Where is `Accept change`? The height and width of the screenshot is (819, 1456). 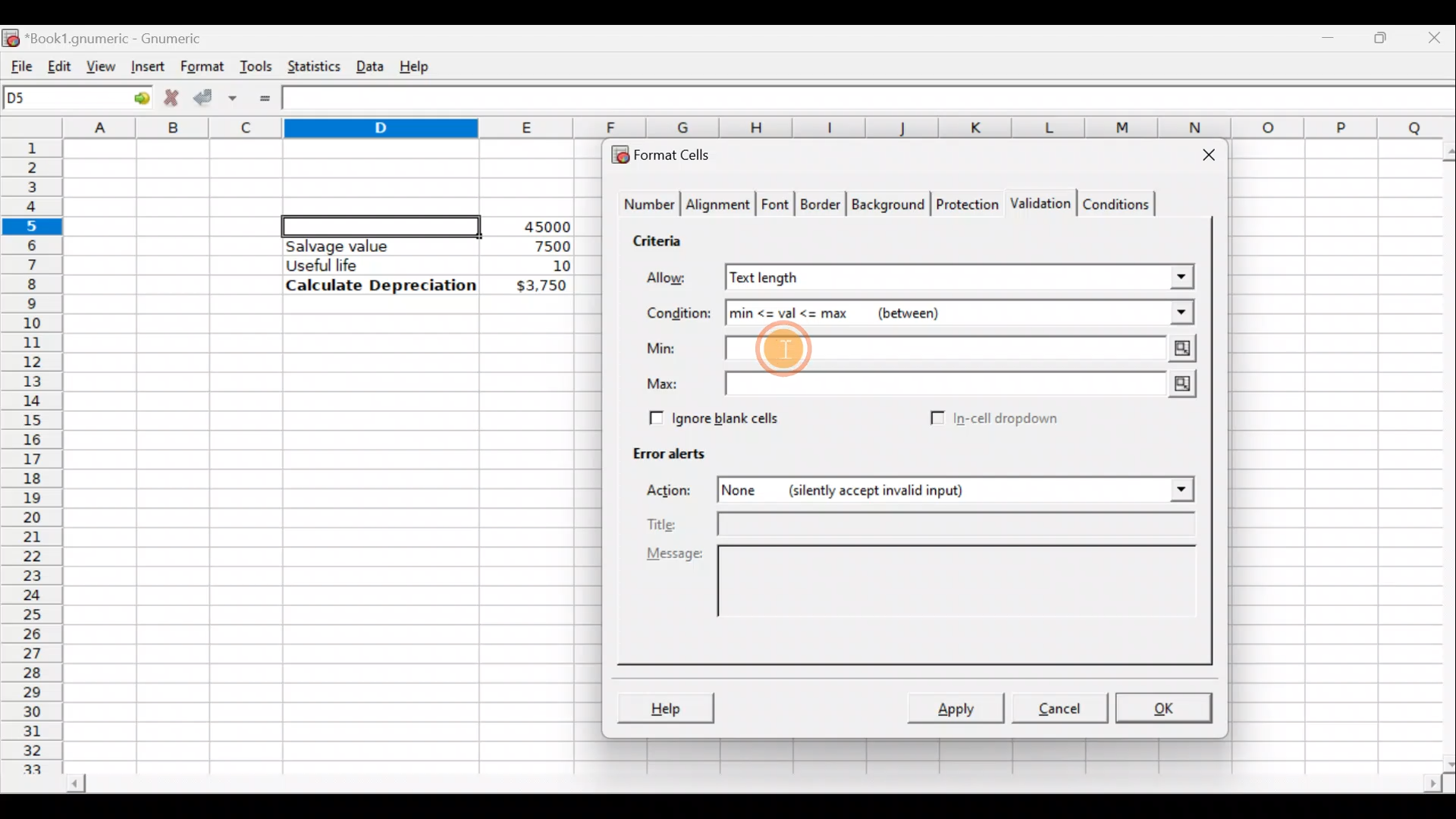 Accept change is located at coordinates (215, 96).